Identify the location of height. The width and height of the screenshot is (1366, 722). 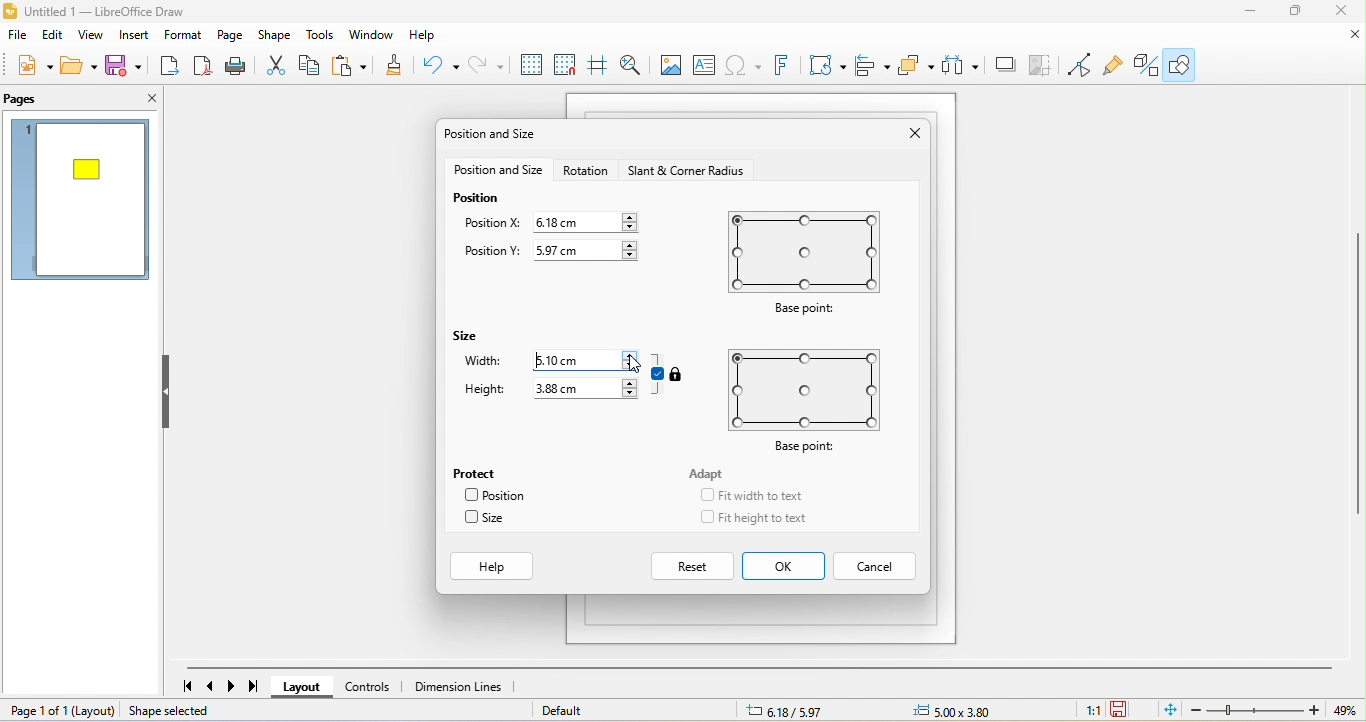
(484, 390).